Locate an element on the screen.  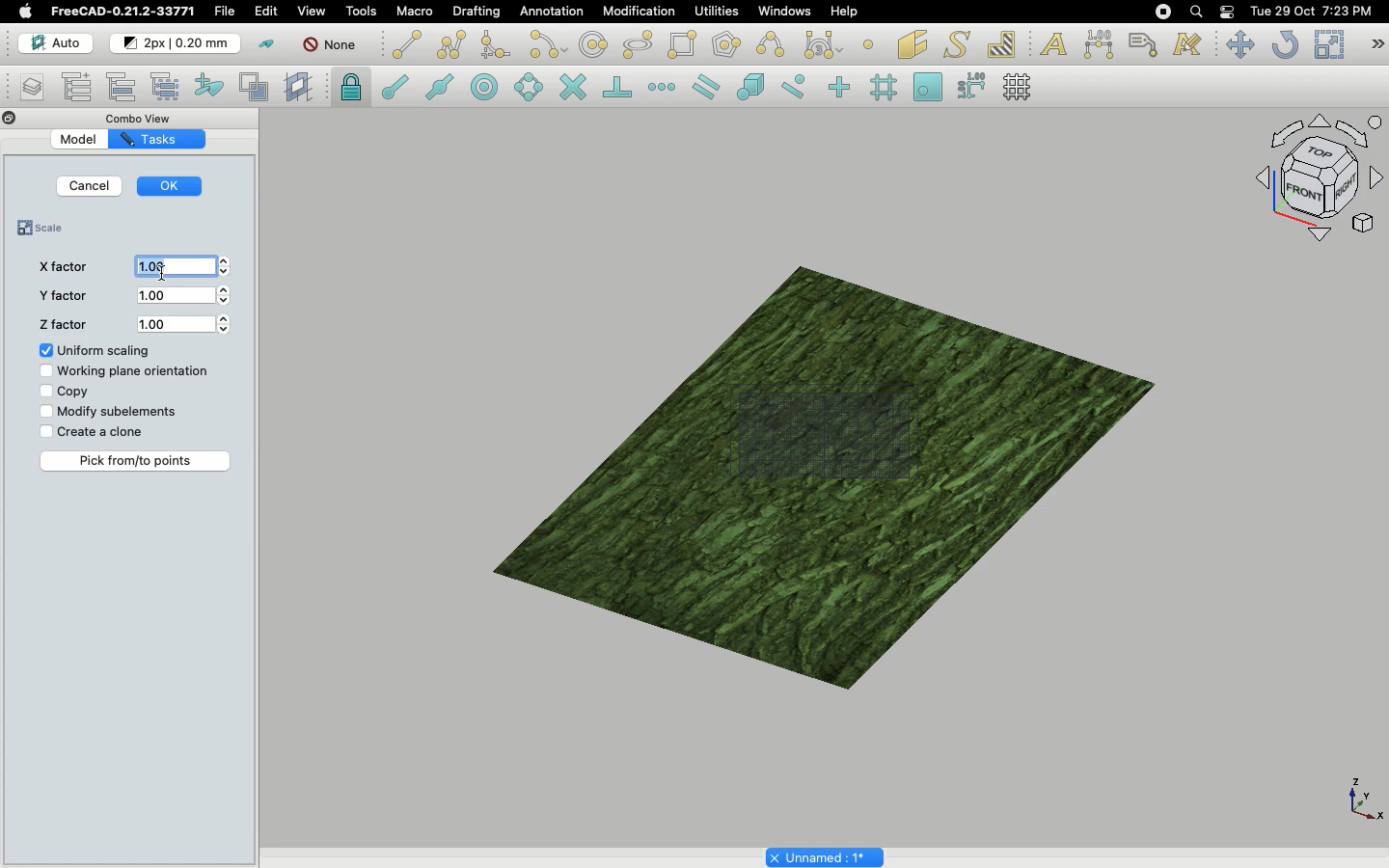
Bezier tools is located at coordinates (826, 44).